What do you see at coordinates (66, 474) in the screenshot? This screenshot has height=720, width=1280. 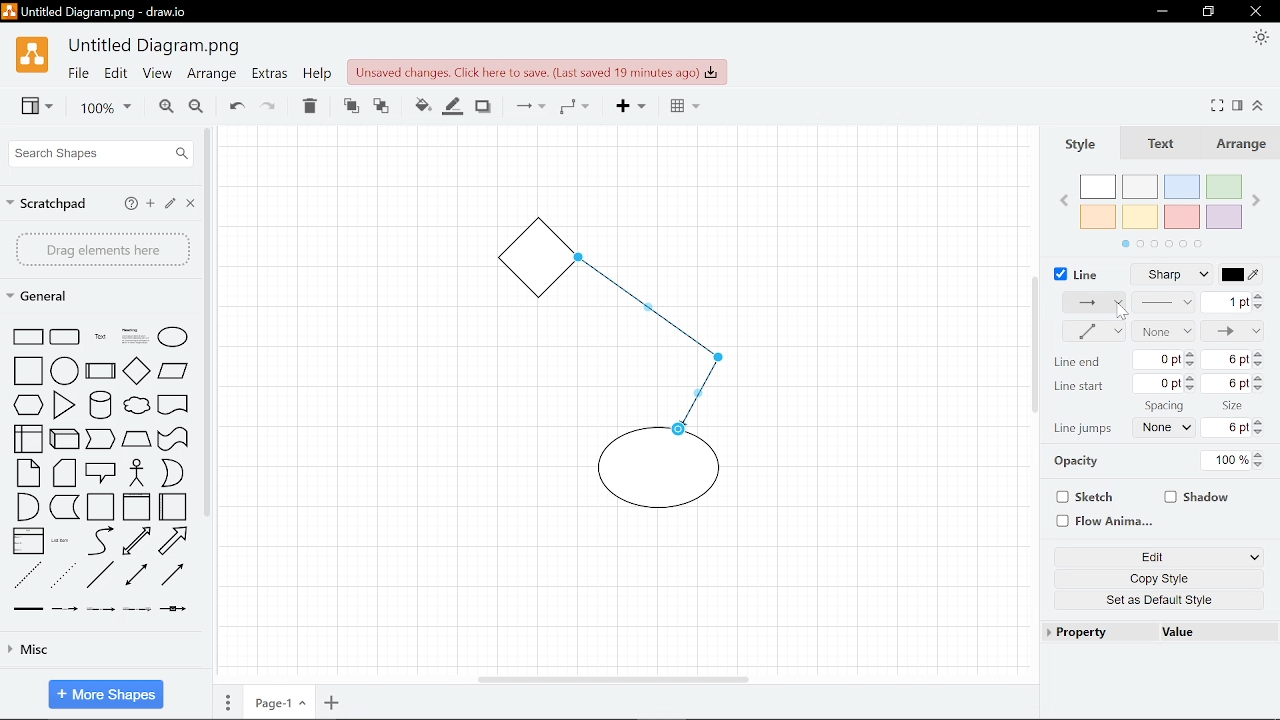 I see `shape` at bounding box center [66, 474].